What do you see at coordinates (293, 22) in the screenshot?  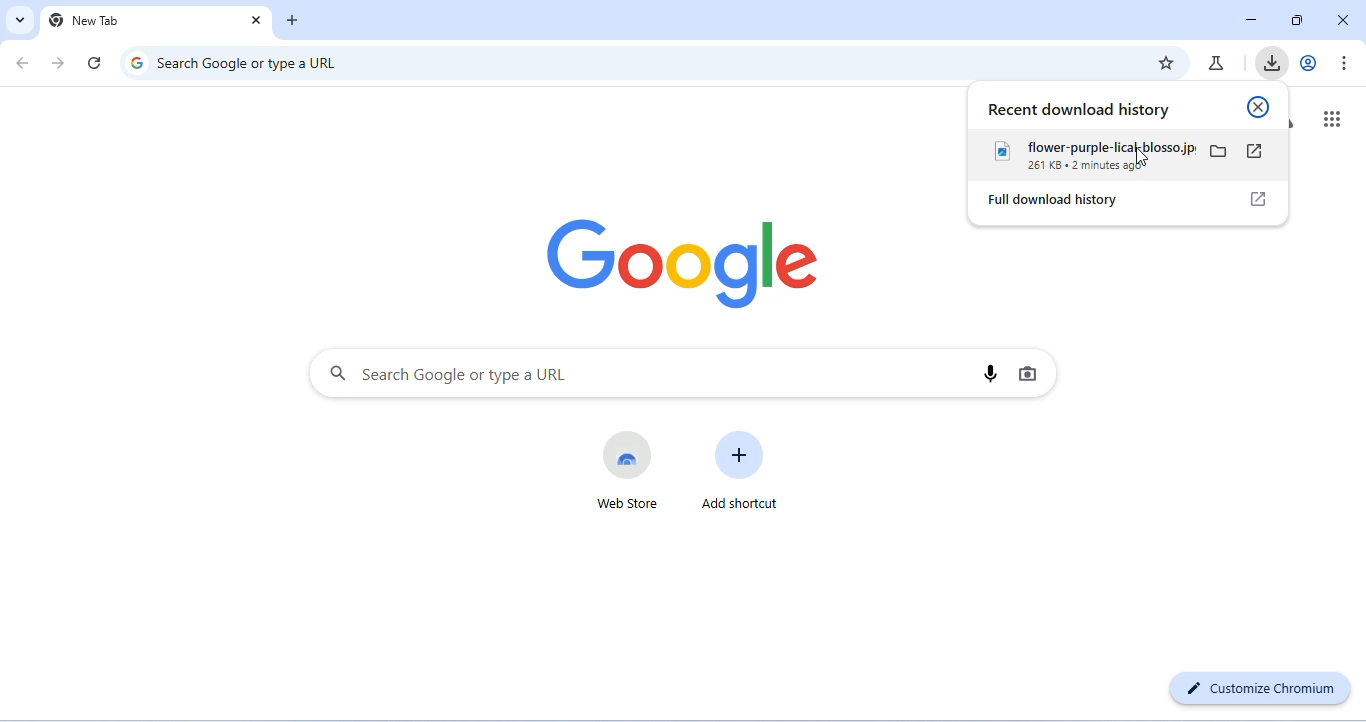 I see `add new tab` at bounding box center [293, 22].